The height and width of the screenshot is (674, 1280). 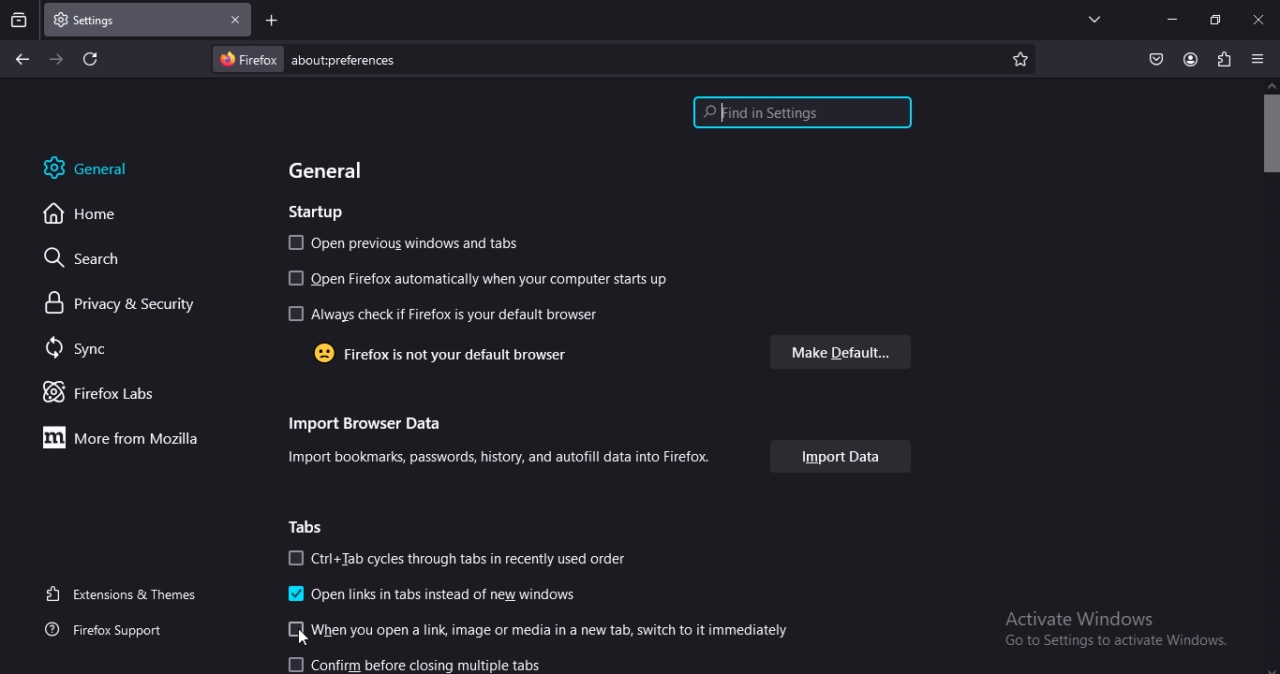 What do you see at coordinates (1258, 18) in the screenshot?
I see `close` at bounding box center [1258, 18].